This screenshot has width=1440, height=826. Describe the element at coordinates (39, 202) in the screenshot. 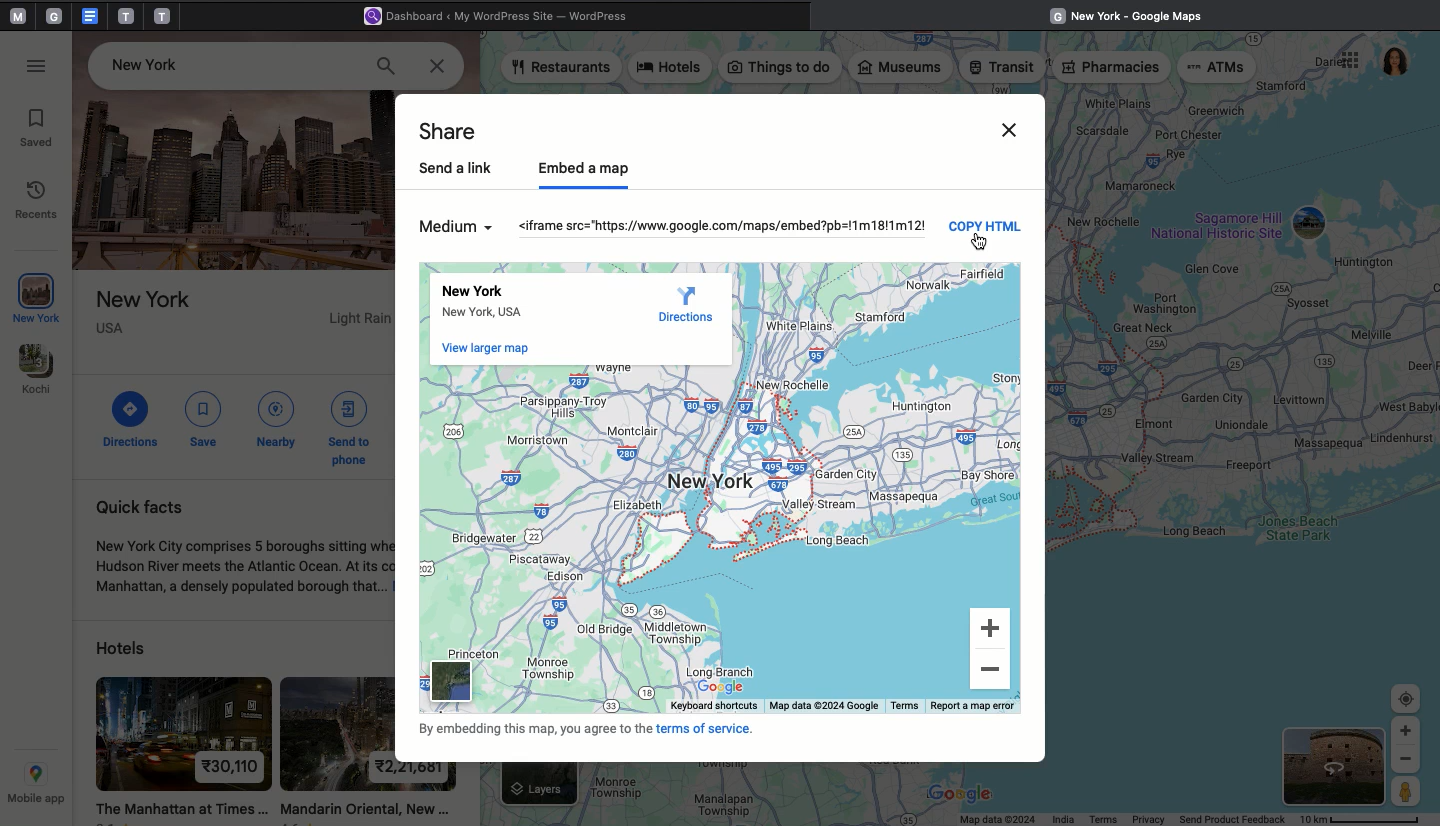

I see `Recents` at that location.